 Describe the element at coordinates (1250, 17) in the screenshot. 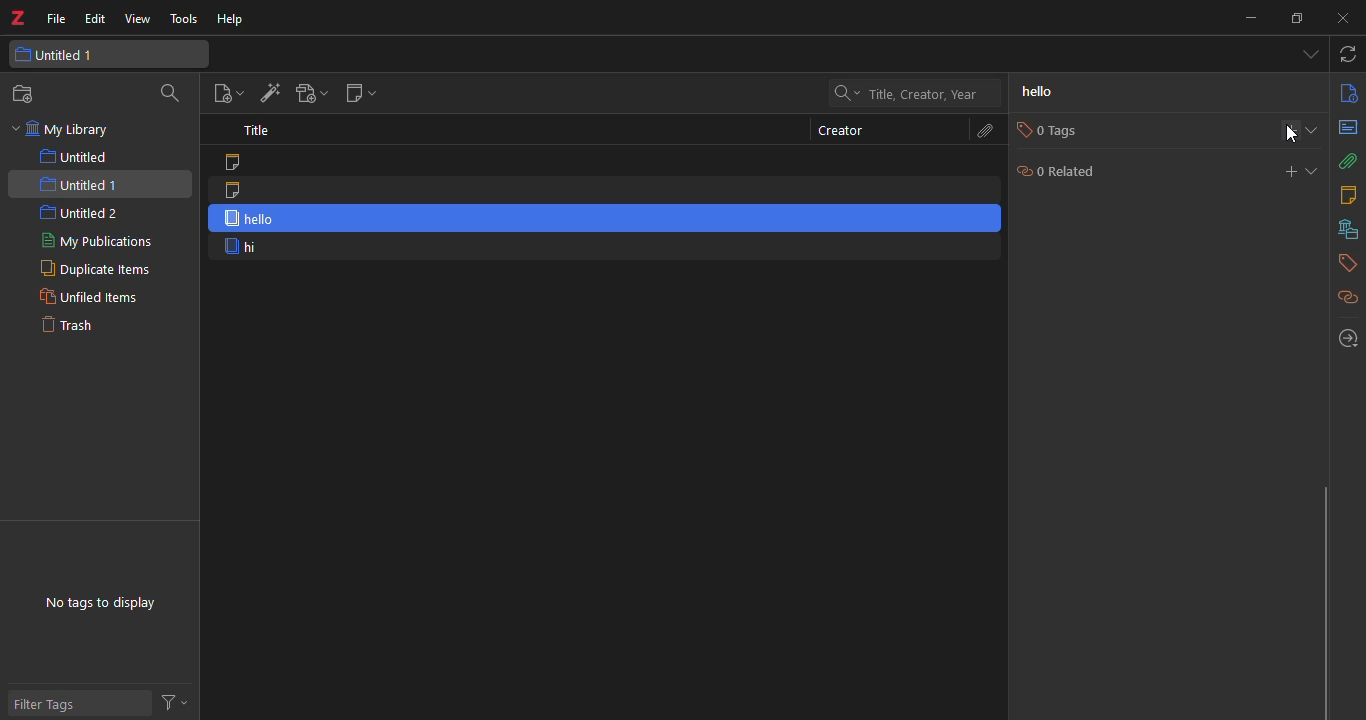

I see `minimize` at that location.